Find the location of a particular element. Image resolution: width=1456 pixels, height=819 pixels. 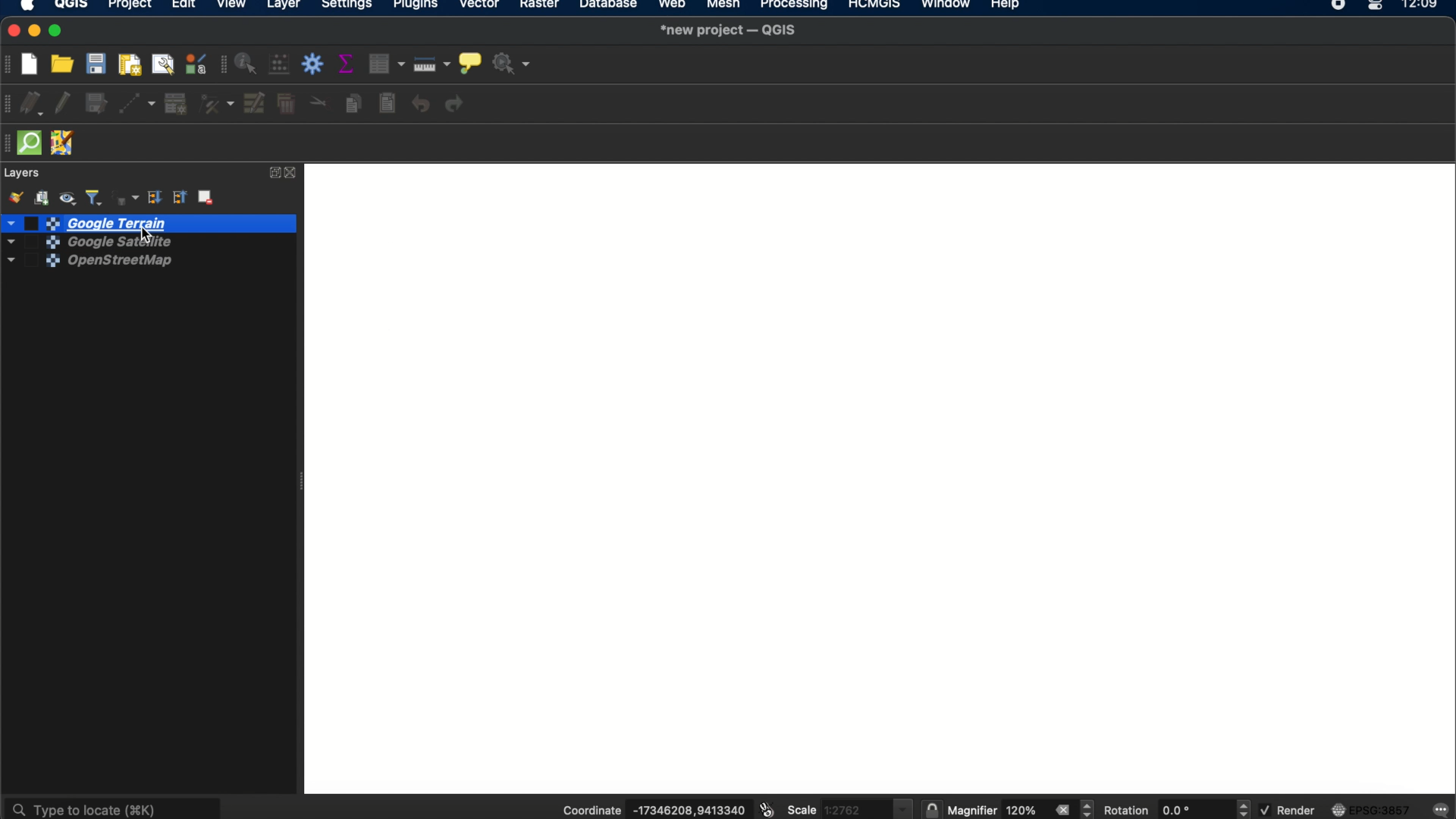

JOSM remote is located at coordinates (64, 144).